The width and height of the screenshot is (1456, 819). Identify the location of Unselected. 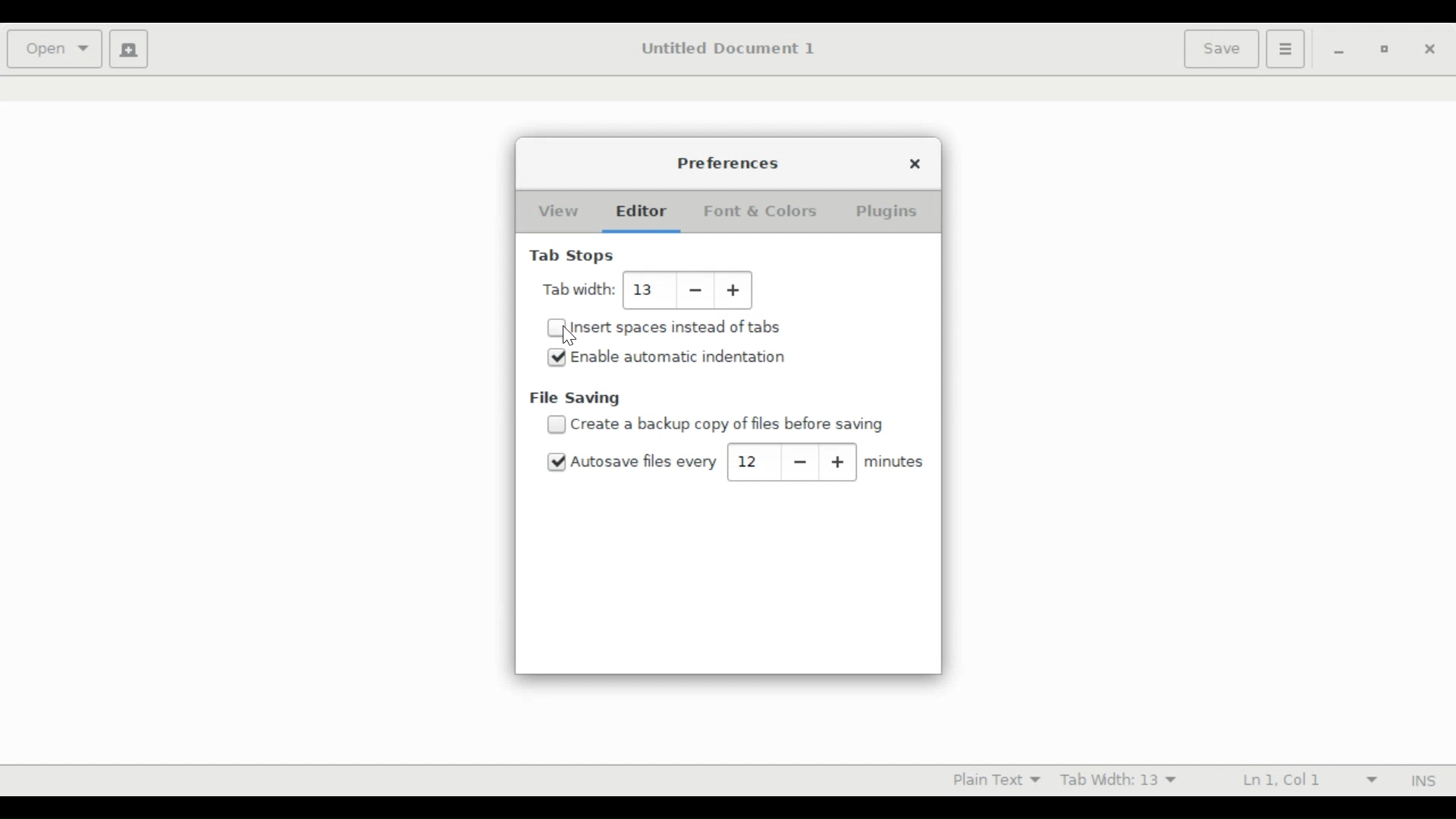
(556, 329).